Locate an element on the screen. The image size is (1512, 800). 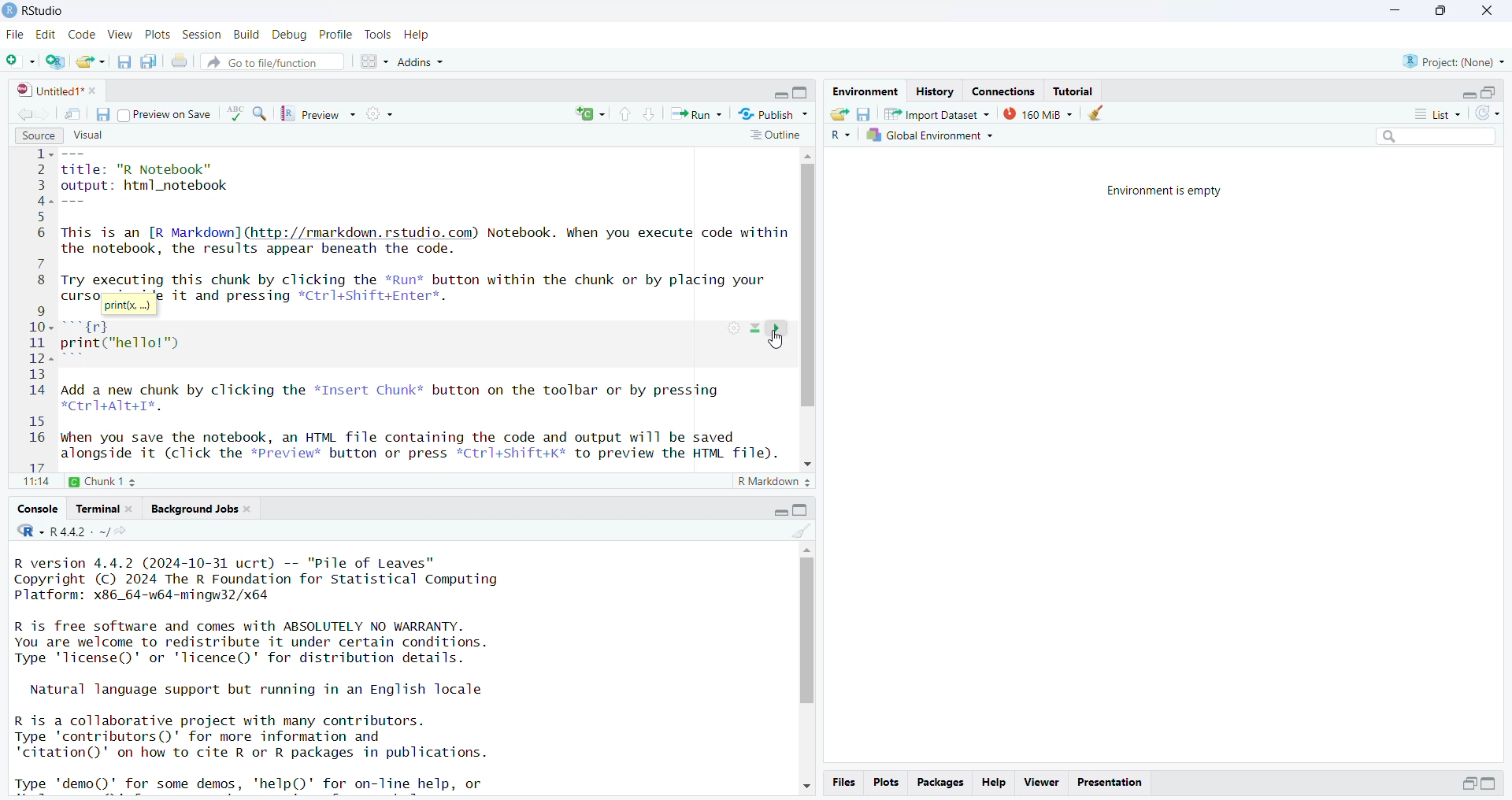
project(None) is located at coordinates (1453, 62).